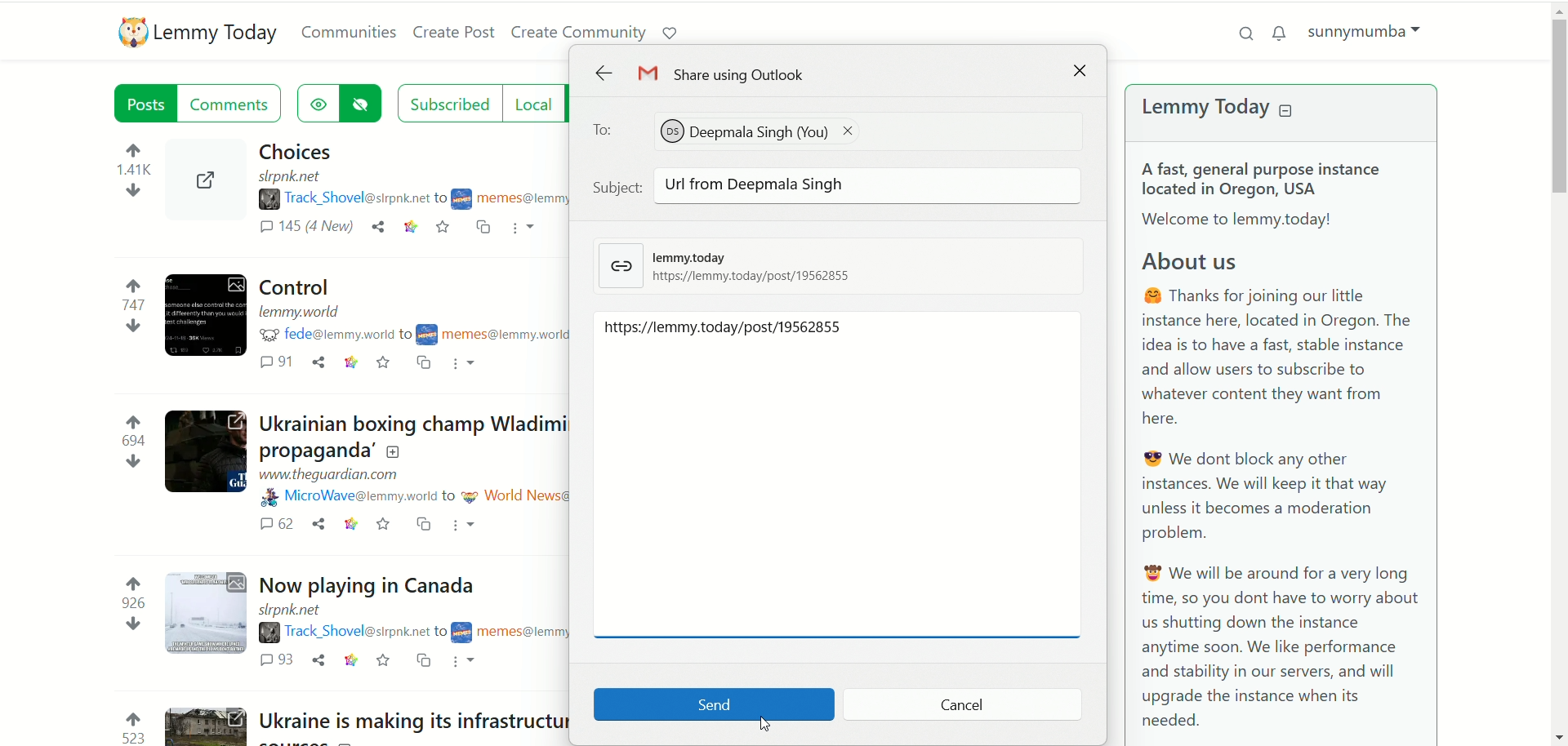 Image resolution: width=1568 pixels, height=746 pixels. Describe the element at coordinates (511, 630) in the screenshot. I see `community` at that location.